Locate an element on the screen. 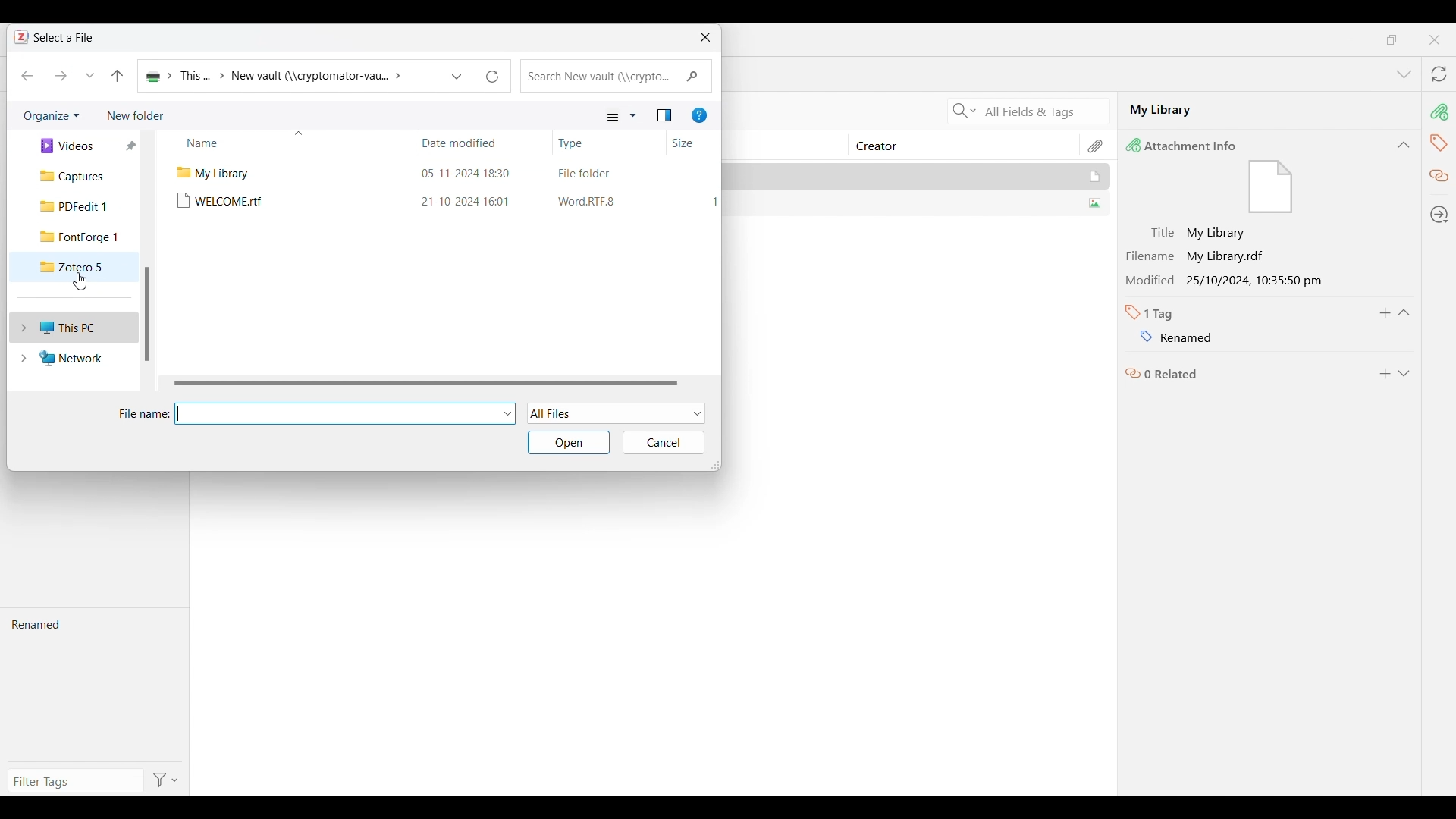  All Fields & Tags is located at coordinates (1046, 111).